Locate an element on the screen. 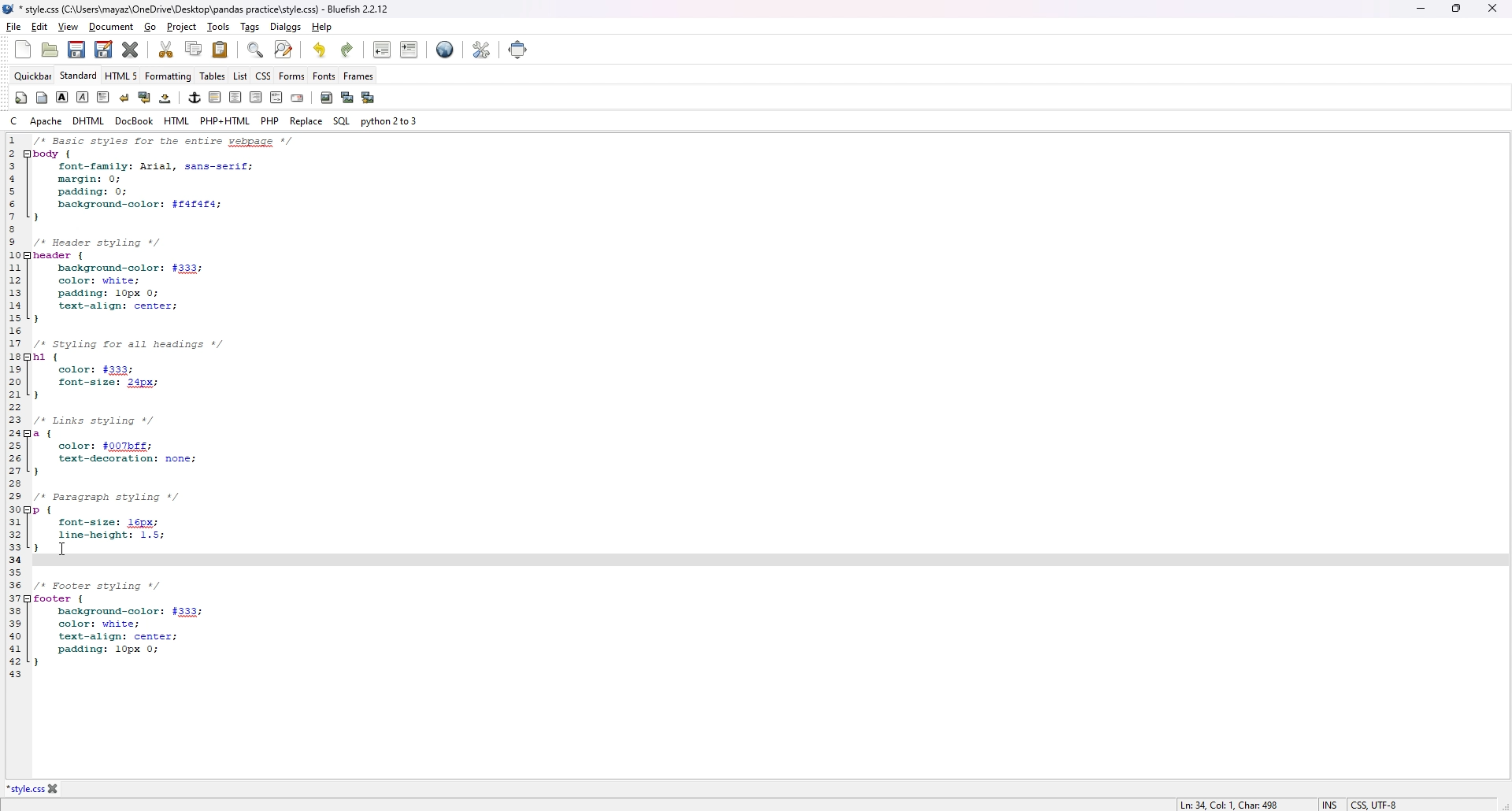 The image size is (1512, 811). cursor is located at coordinates (64, 550).